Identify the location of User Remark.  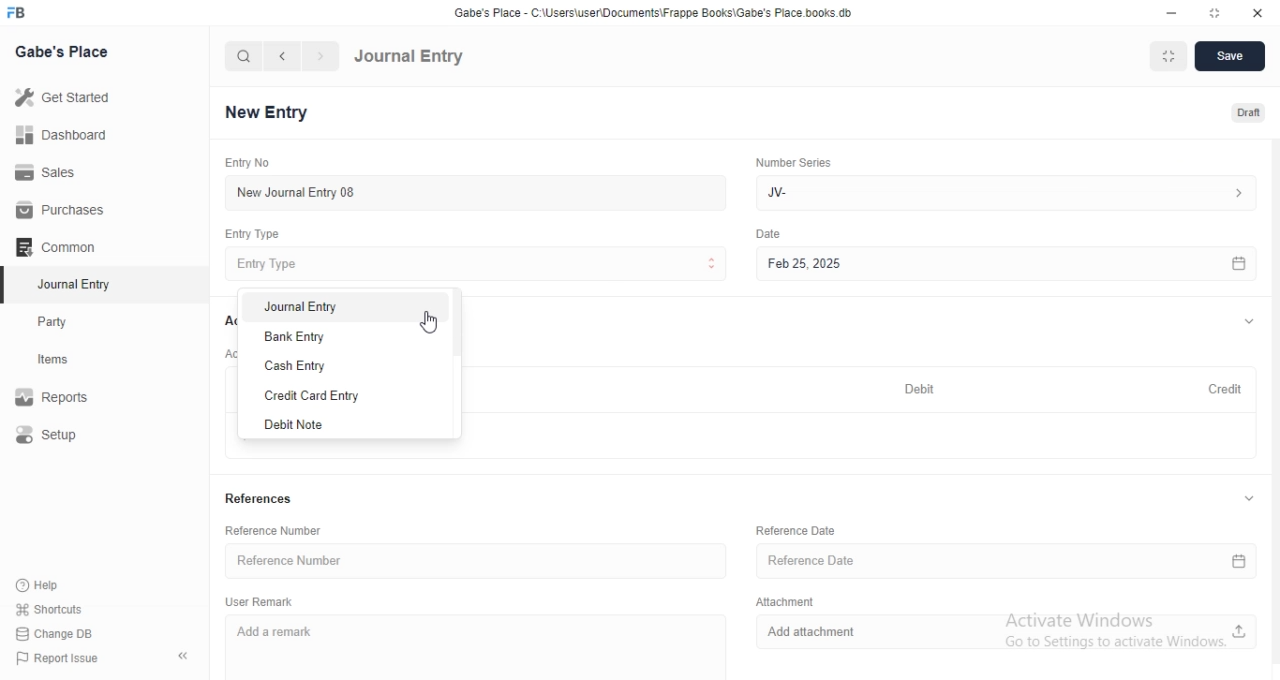
(261, 602).